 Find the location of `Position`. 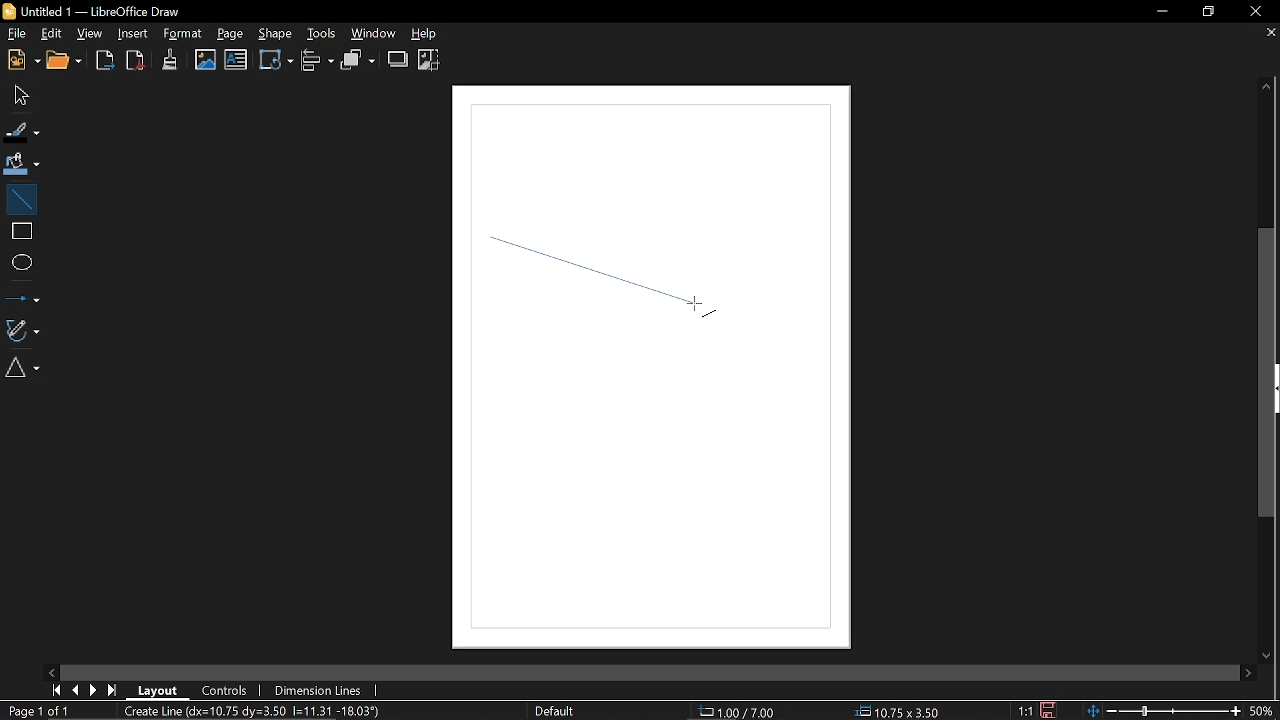

Position is located at coordinates (742, 711).